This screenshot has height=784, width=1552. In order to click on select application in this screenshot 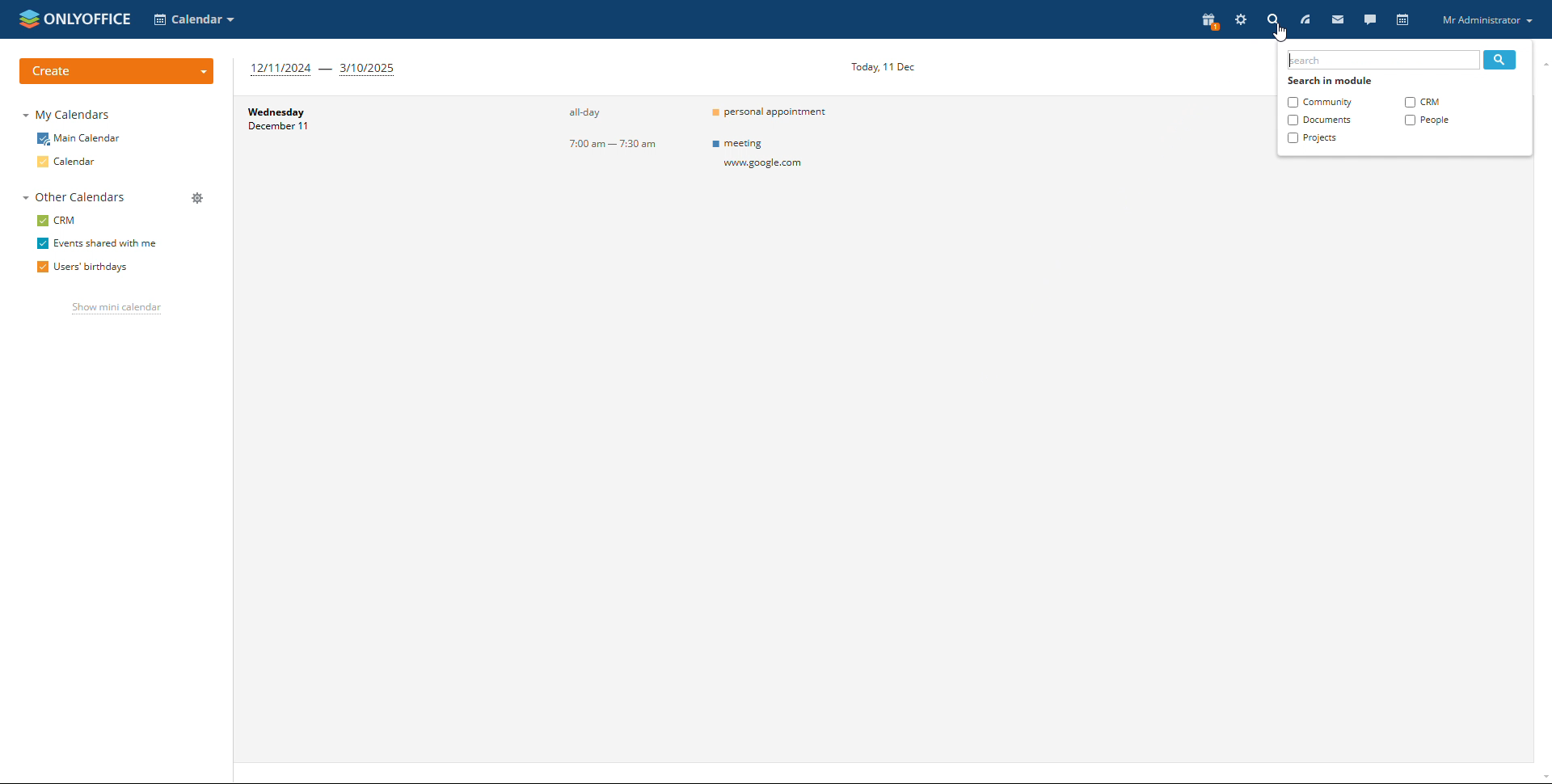, I will do `click(195, 19)`.